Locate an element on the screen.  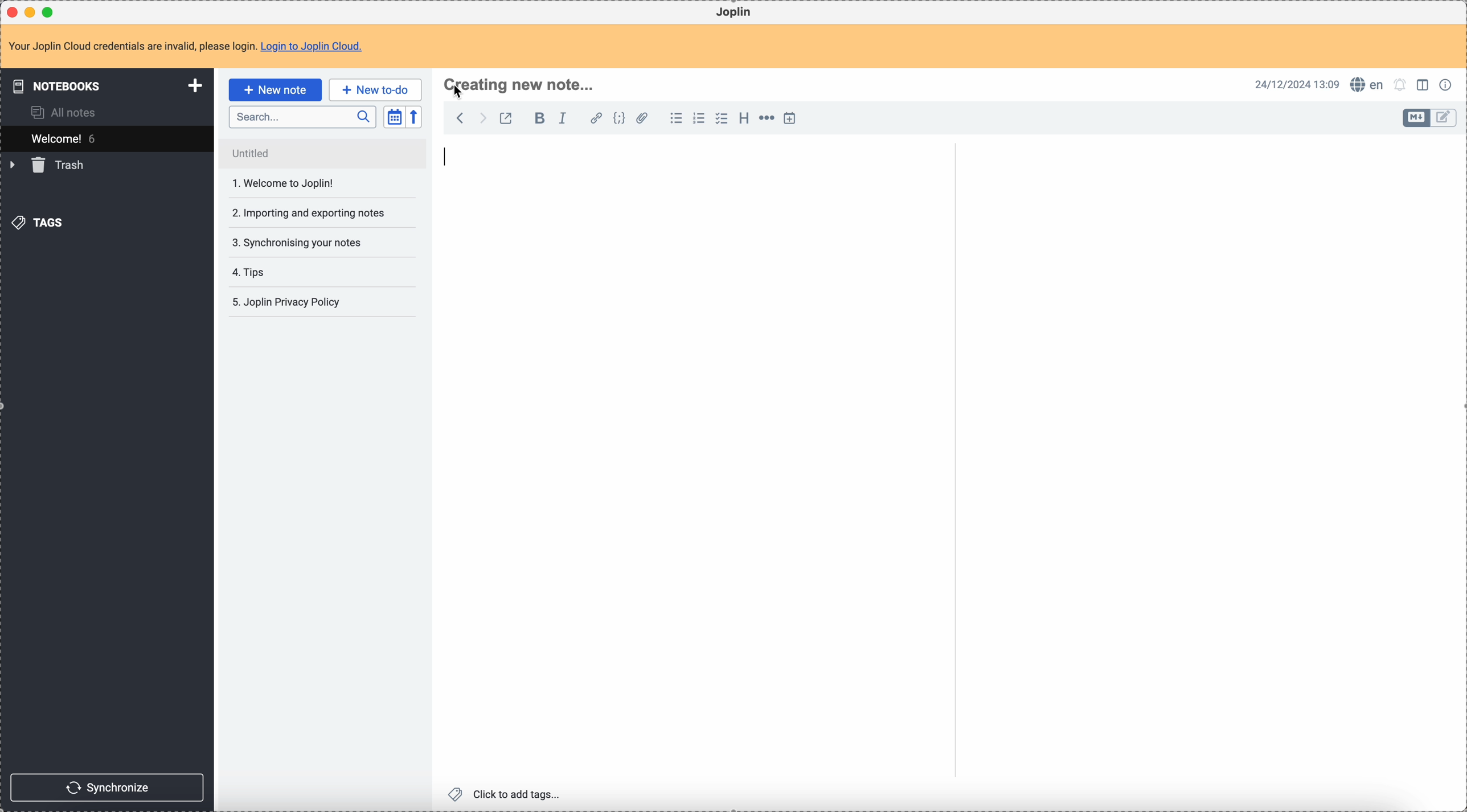
click to add tags is located at coordinates (507, 793).